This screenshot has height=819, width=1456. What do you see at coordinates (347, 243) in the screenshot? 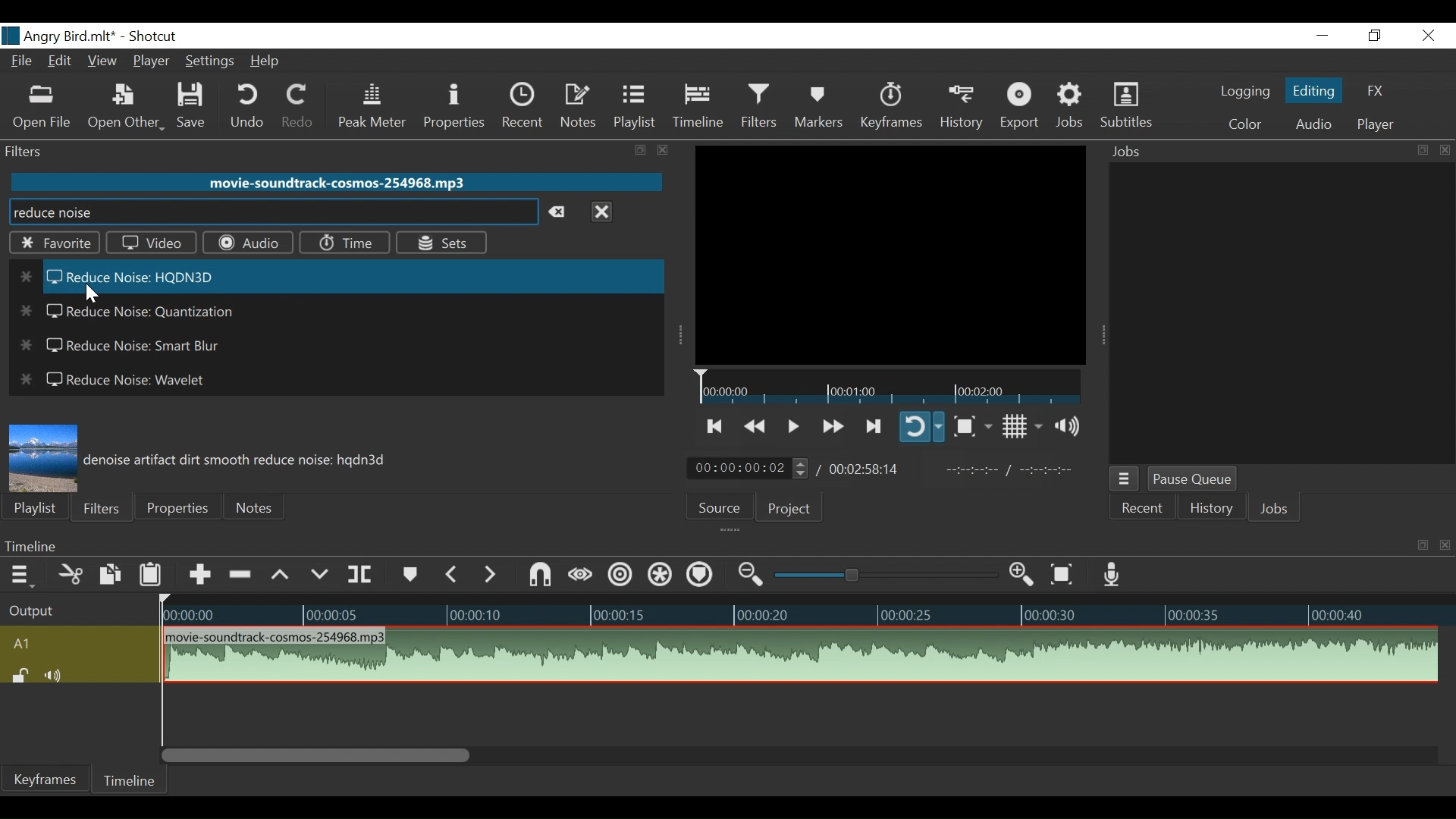
I see `Time` at bounding box center [347, 243].